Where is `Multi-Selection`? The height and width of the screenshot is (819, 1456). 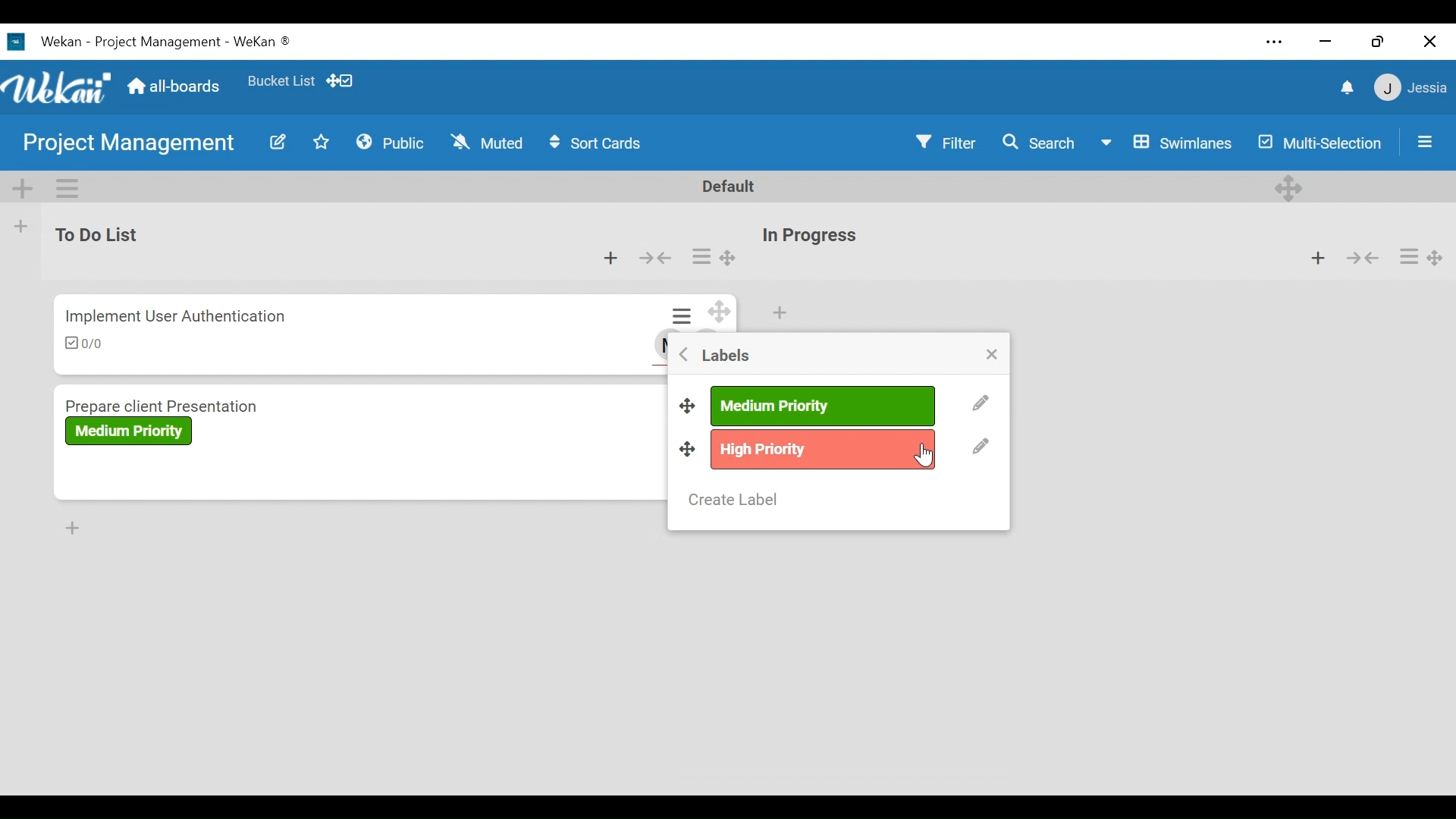 Multi-Selection is located at coordinates (1321, 143).